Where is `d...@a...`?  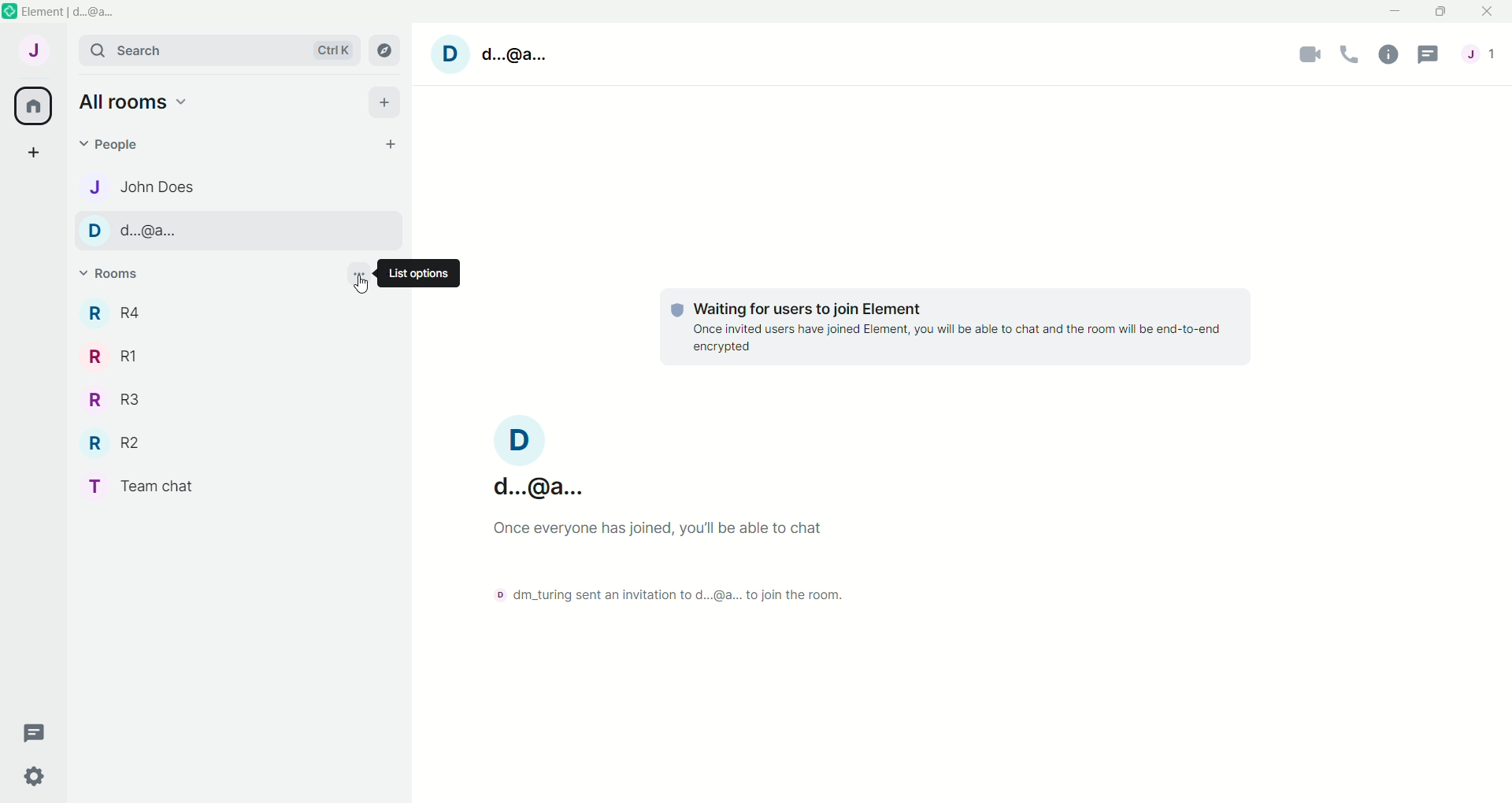 d...@a... is located at coordinates (543, 487).